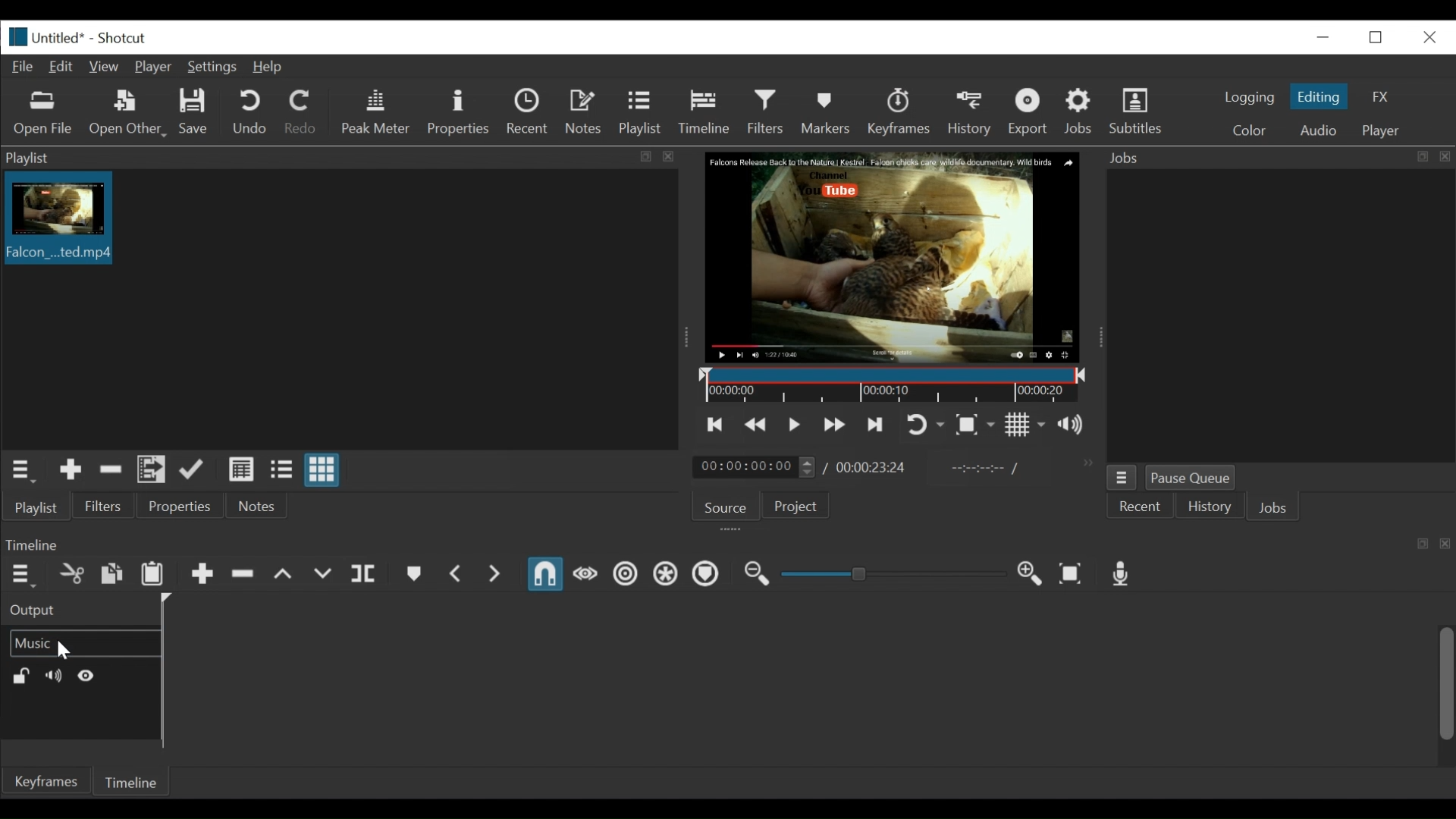 The width and height of the screenshot is (1456, 819). Describe the element at coordinates (1025, 425) in the screenshot. I see `Toggle grid display on the player` at that location.